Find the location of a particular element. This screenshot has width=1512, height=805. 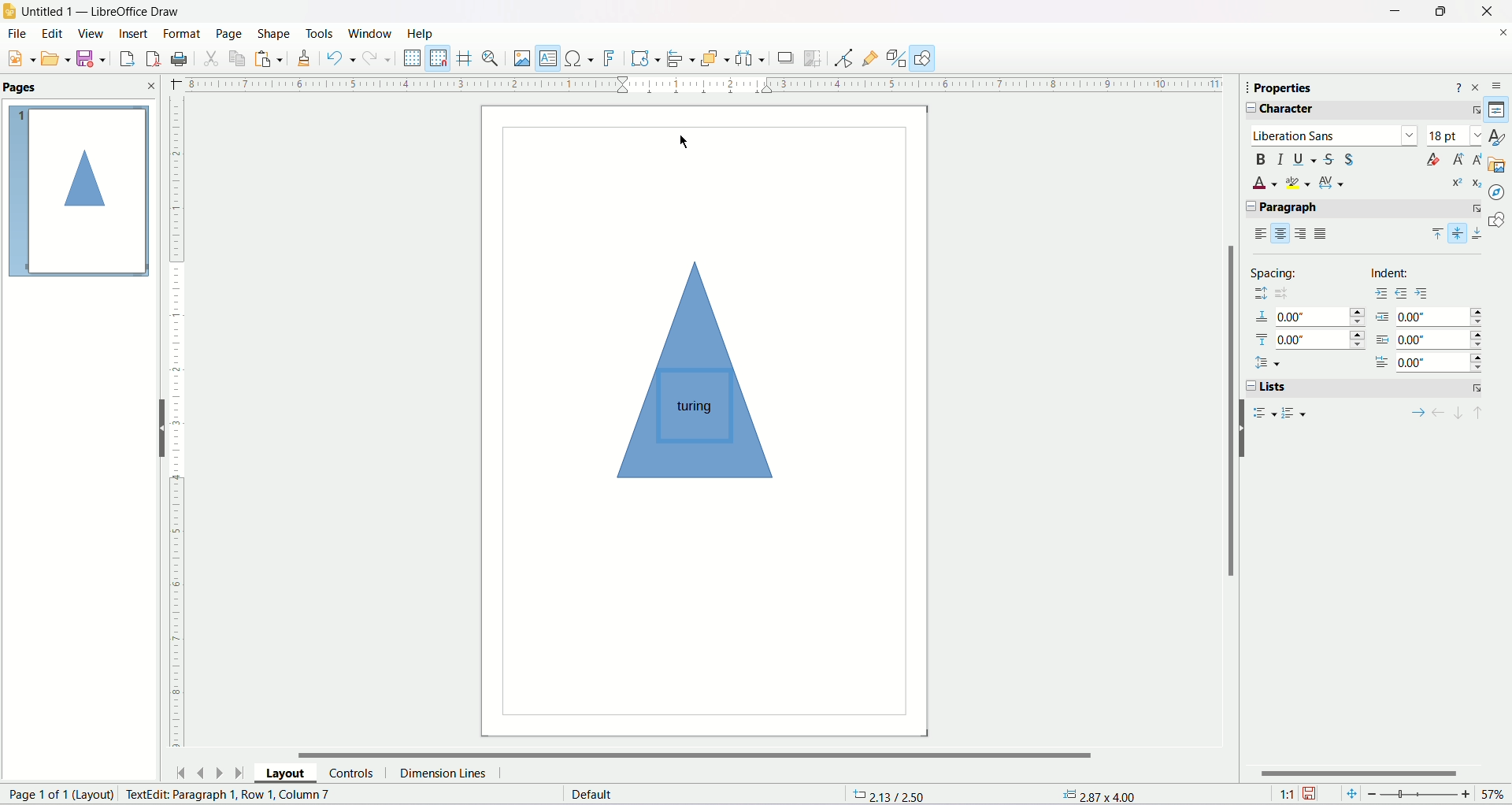

Text is located at coordinates (56, 794).